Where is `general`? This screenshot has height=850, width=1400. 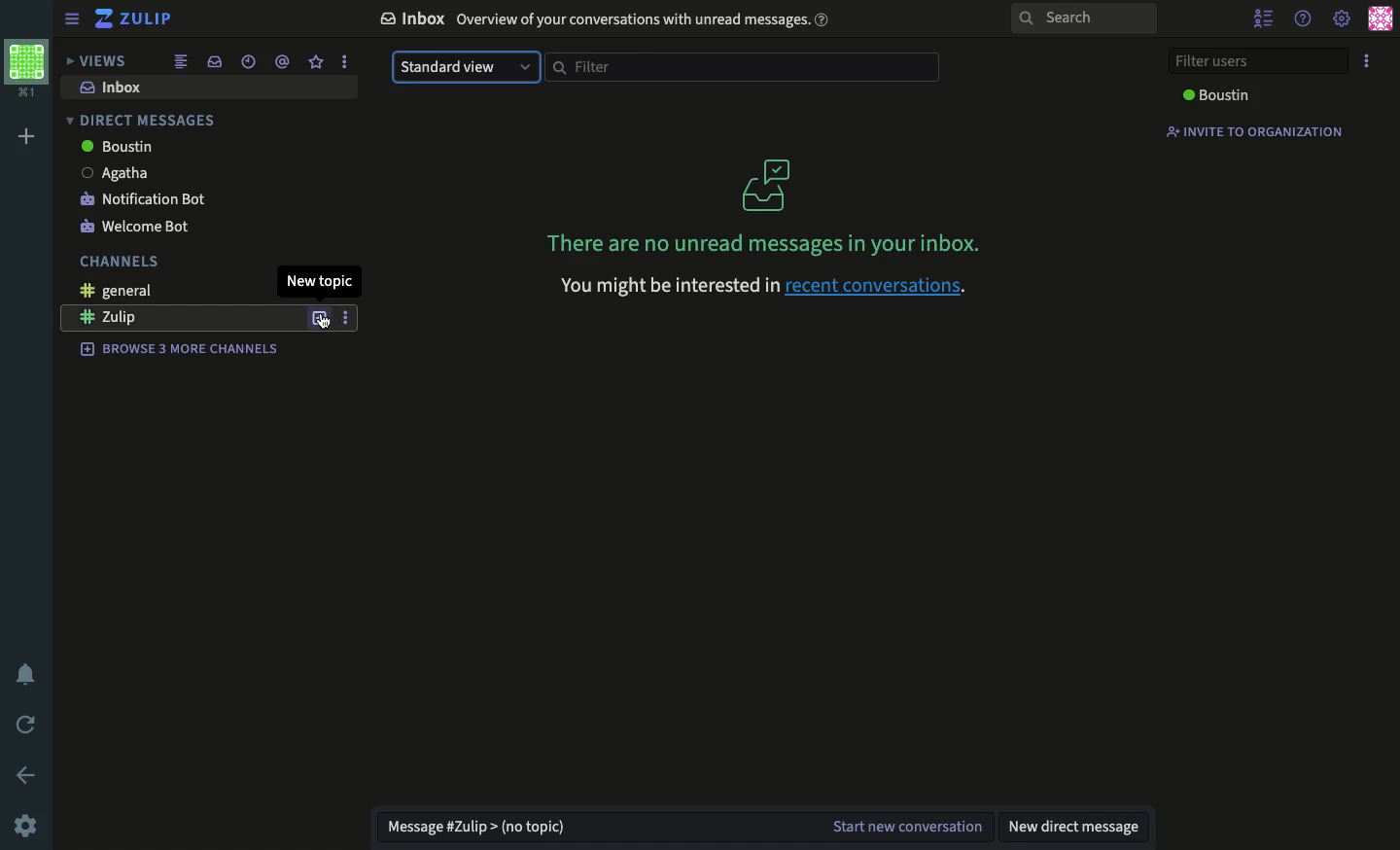
general is located at coordinates (108, 291).